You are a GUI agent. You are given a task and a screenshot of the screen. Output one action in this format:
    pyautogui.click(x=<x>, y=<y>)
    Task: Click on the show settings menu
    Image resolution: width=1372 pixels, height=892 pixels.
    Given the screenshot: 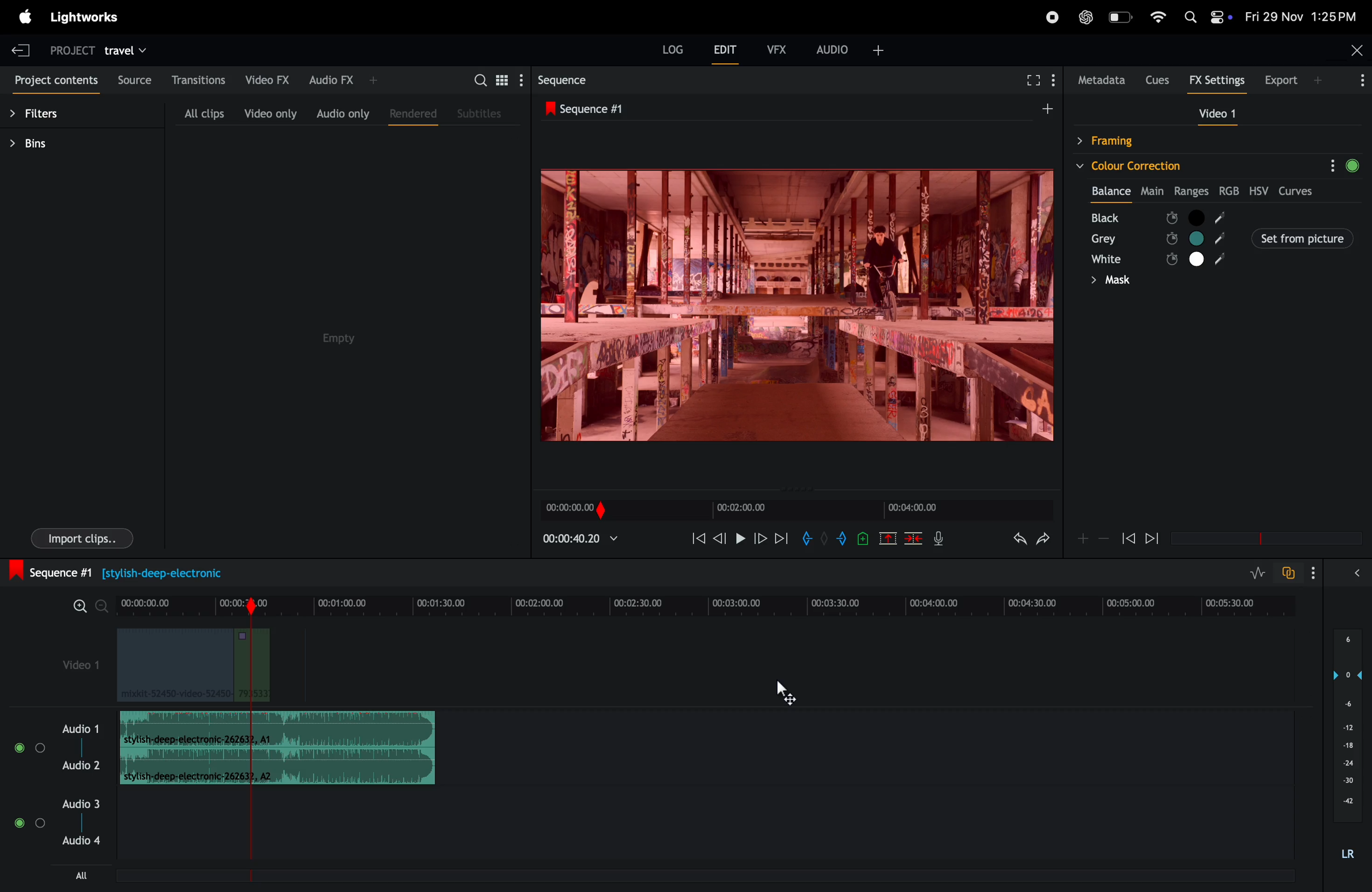 What is the action you would take?
    pyautogui.click(x=525, y=79)
    